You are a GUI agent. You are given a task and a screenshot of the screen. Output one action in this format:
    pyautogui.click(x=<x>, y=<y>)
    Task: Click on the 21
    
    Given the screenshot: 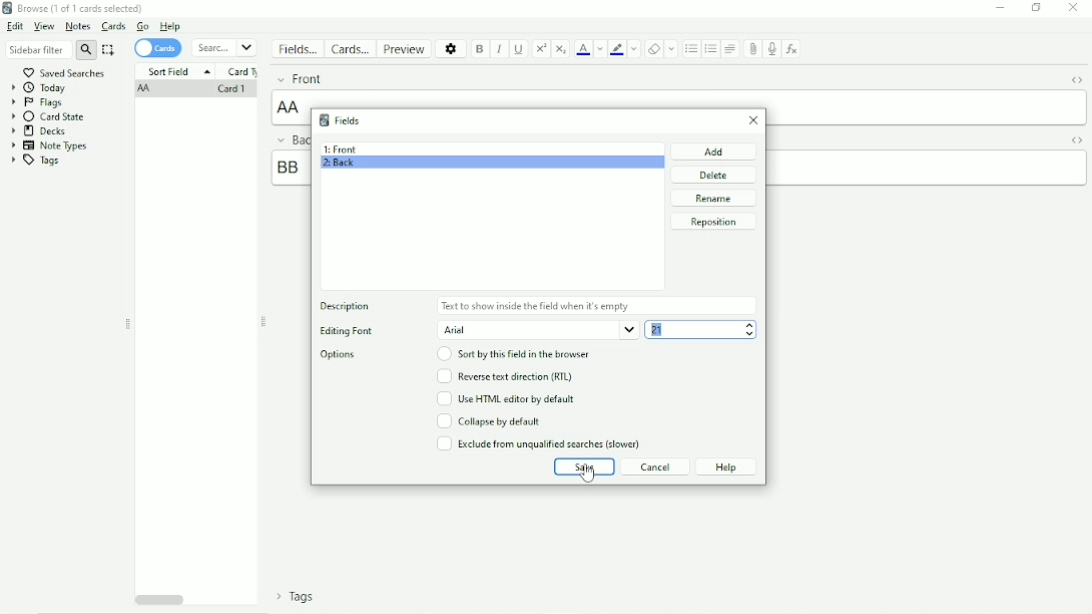 What is the action you would take?
    pyautogui.click(x=659, y=329)
    